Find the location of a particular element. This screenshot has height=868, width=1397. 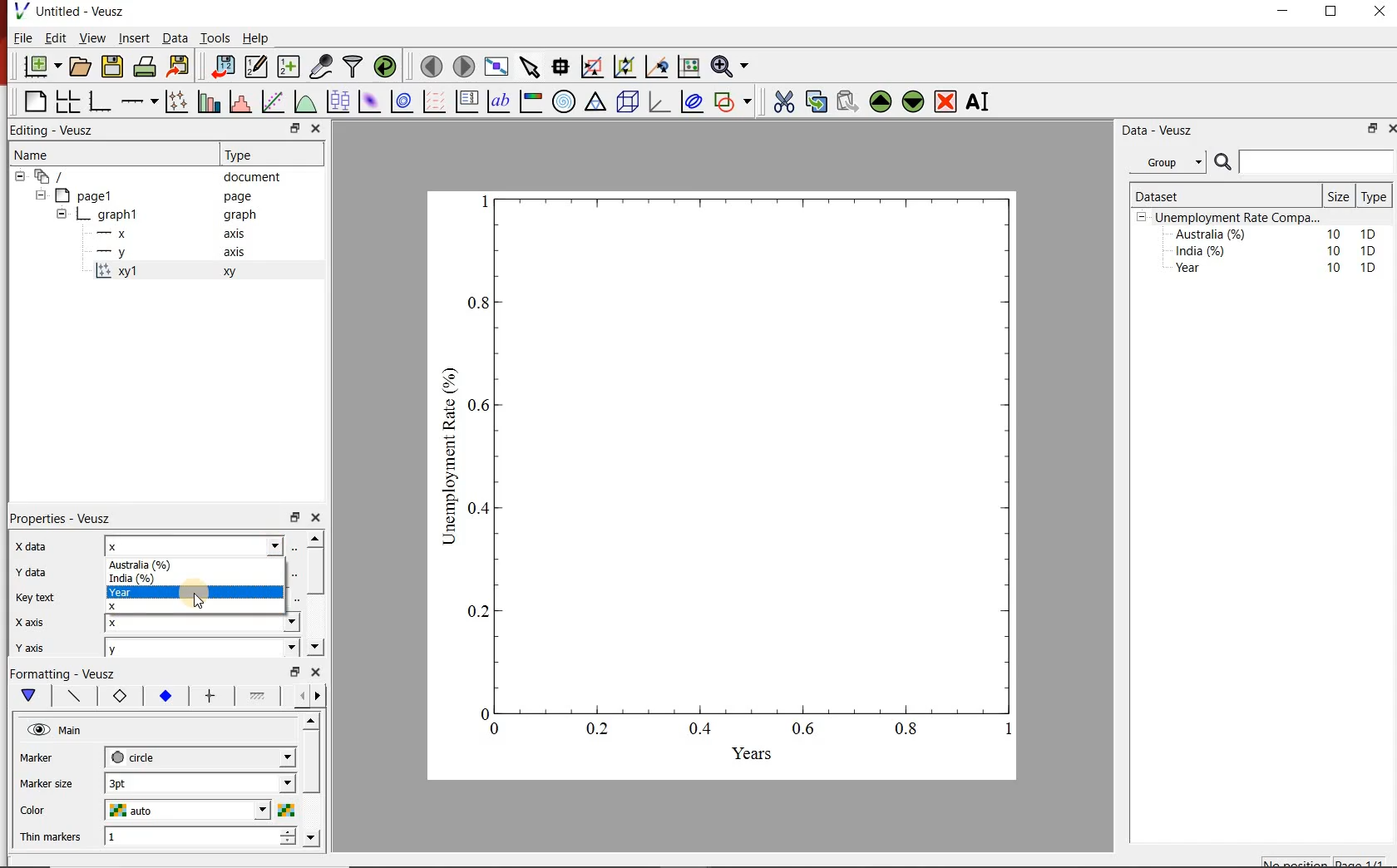

plot 2d datasets as contours is located at coordinates (401, 101).